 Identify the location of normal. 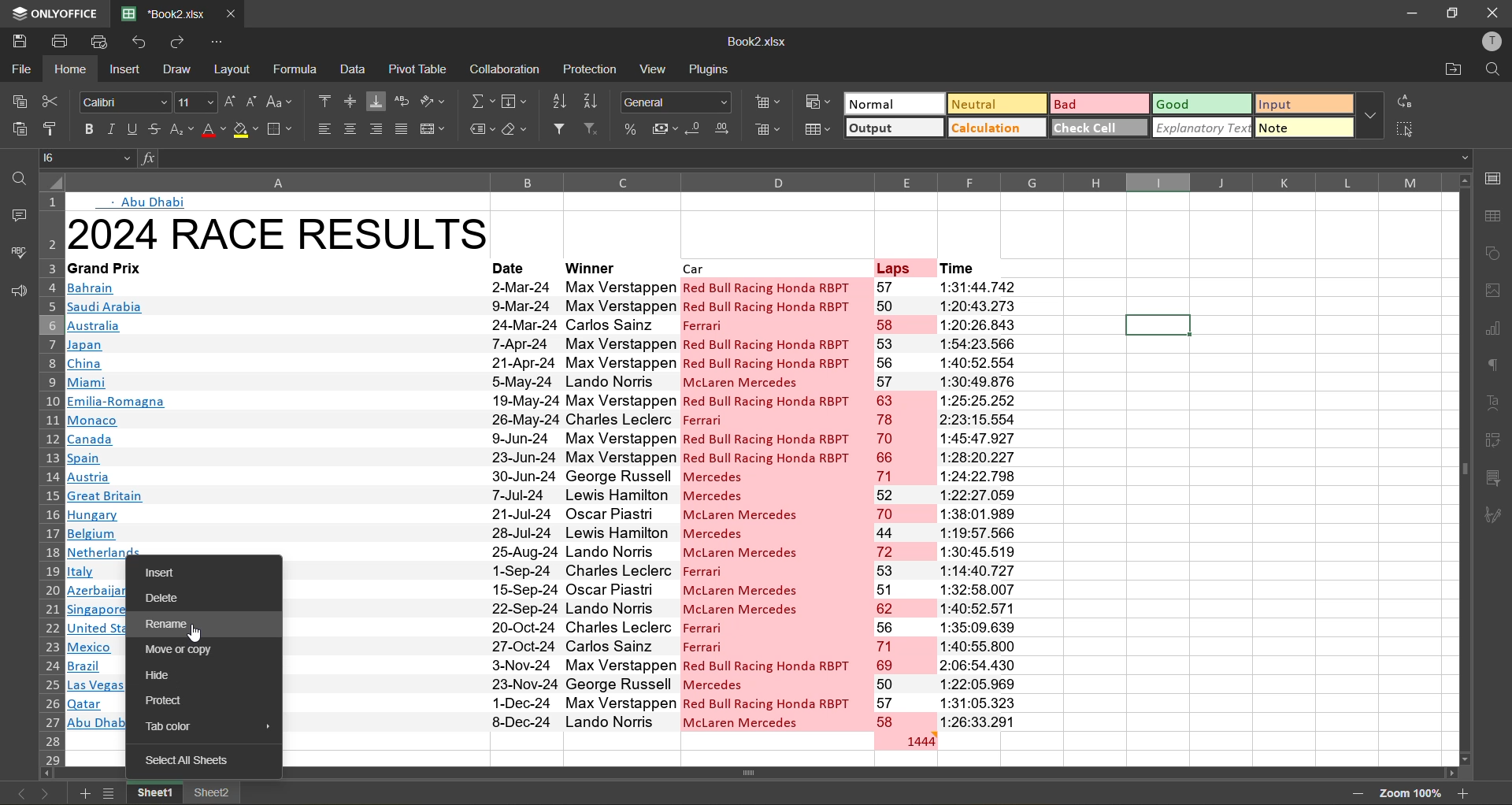
(892, 105).